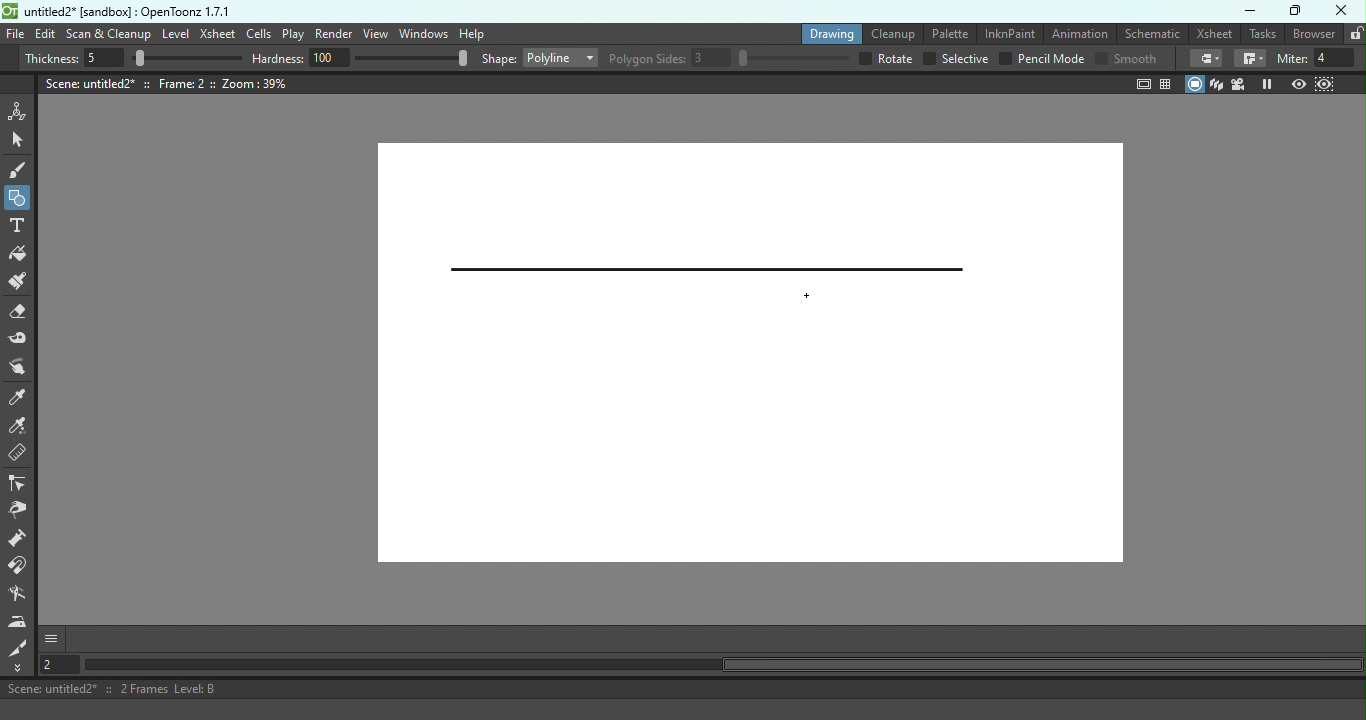 Image resolution: width=1366 pixels, height=720 pixels. I want to click on Shape, so click(540, 56).